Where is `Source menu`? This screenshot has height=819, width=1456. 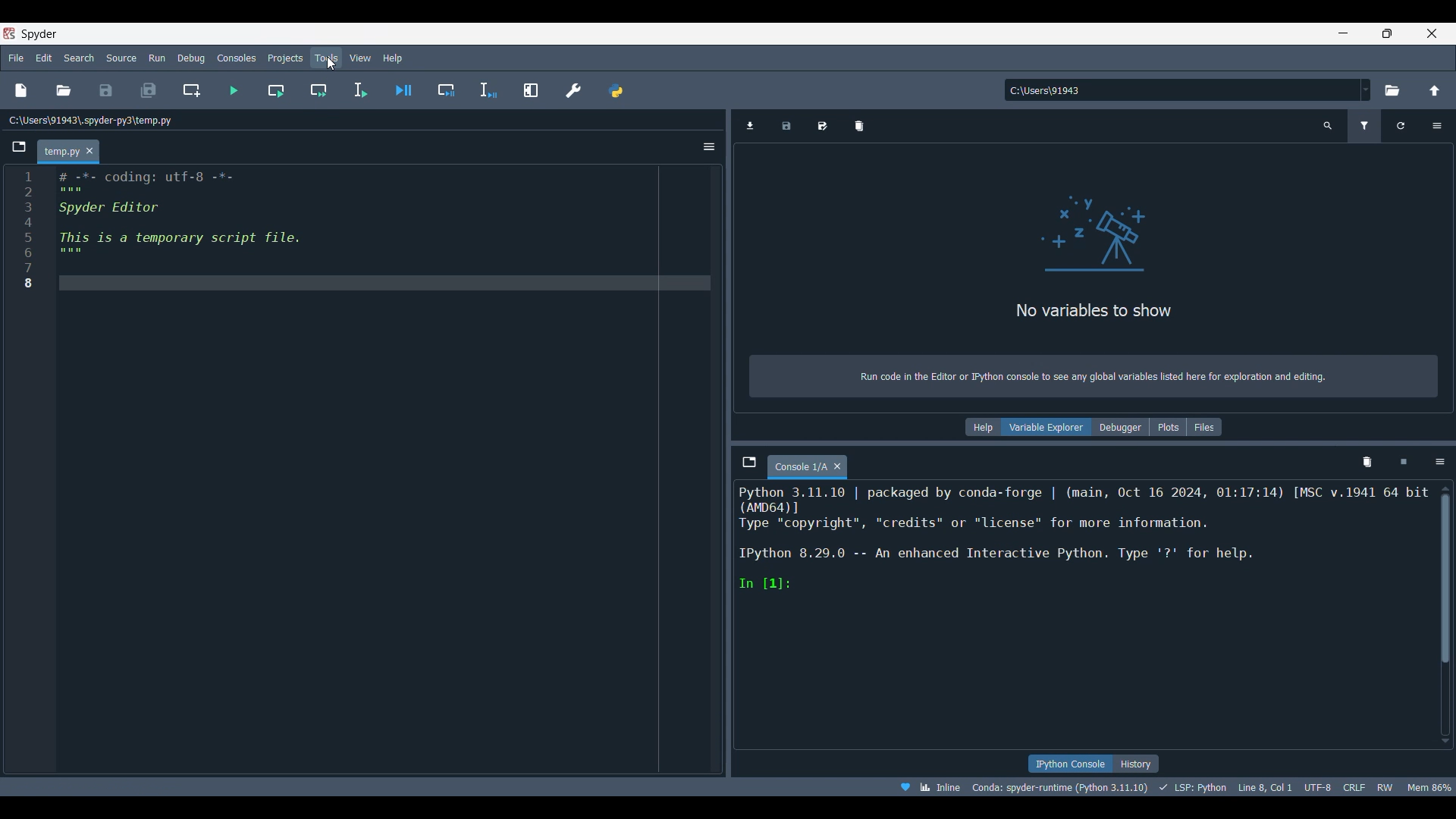
Source menu is located at coordinates (122, 57).